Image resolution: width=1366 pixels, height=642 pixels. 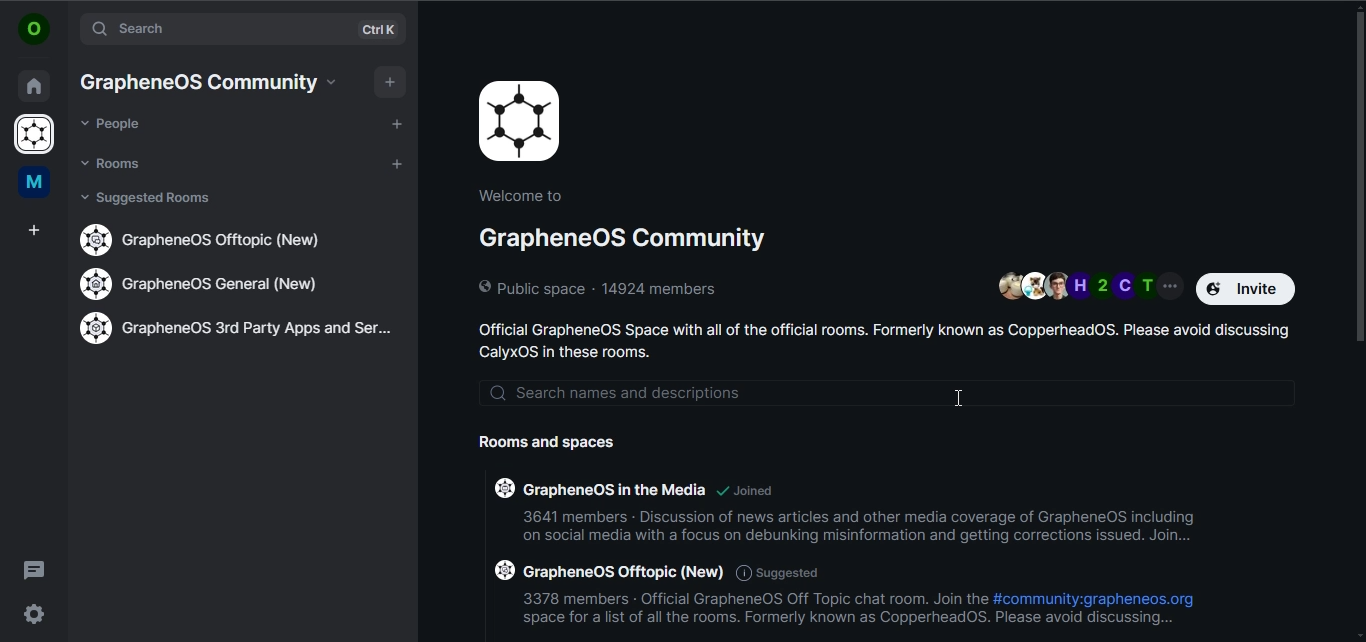 I want to click on home, so click(x=33, y=83).